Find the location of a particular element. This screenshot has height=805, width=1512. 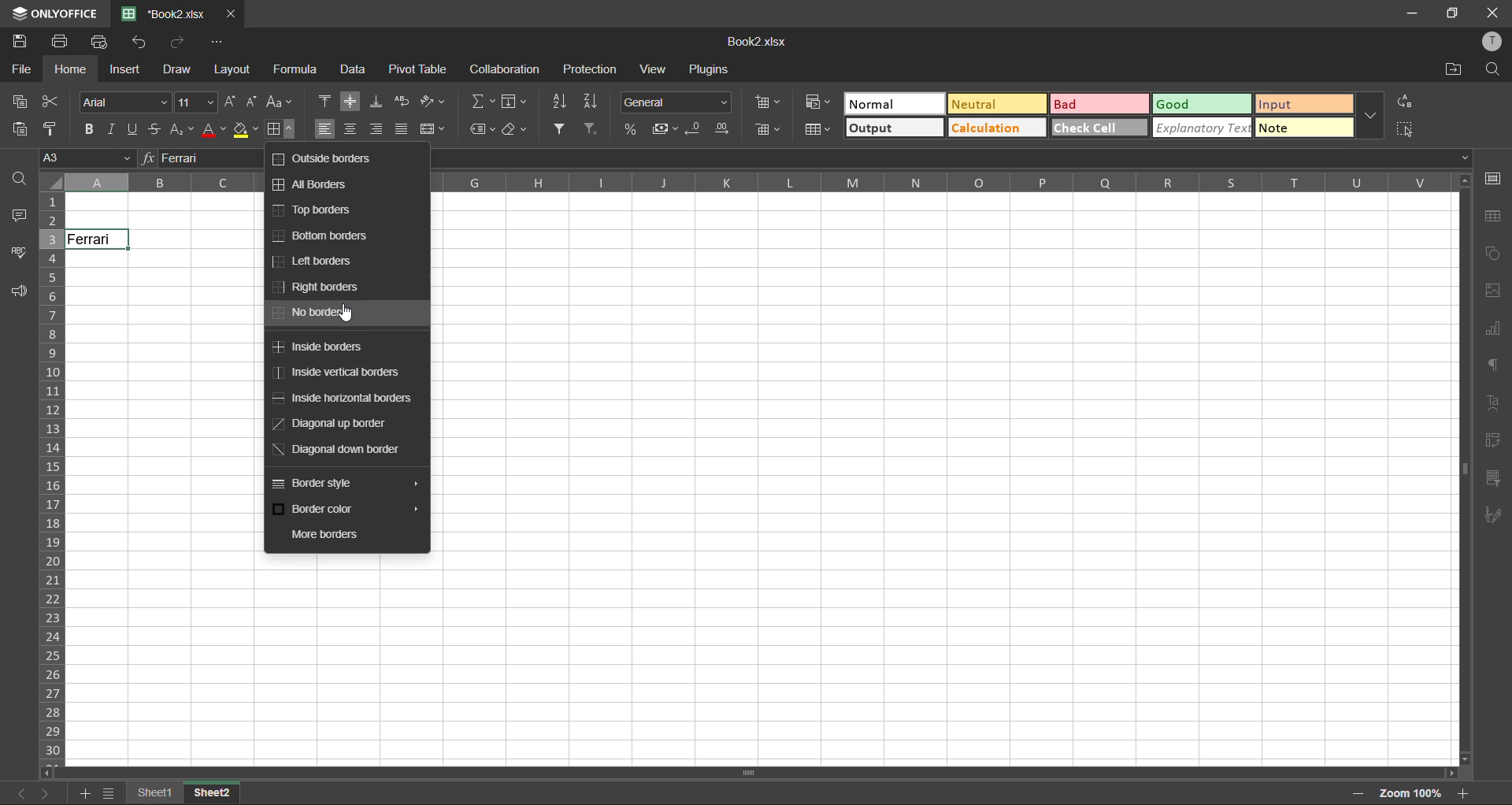

data is located at coordinates (356, 70).